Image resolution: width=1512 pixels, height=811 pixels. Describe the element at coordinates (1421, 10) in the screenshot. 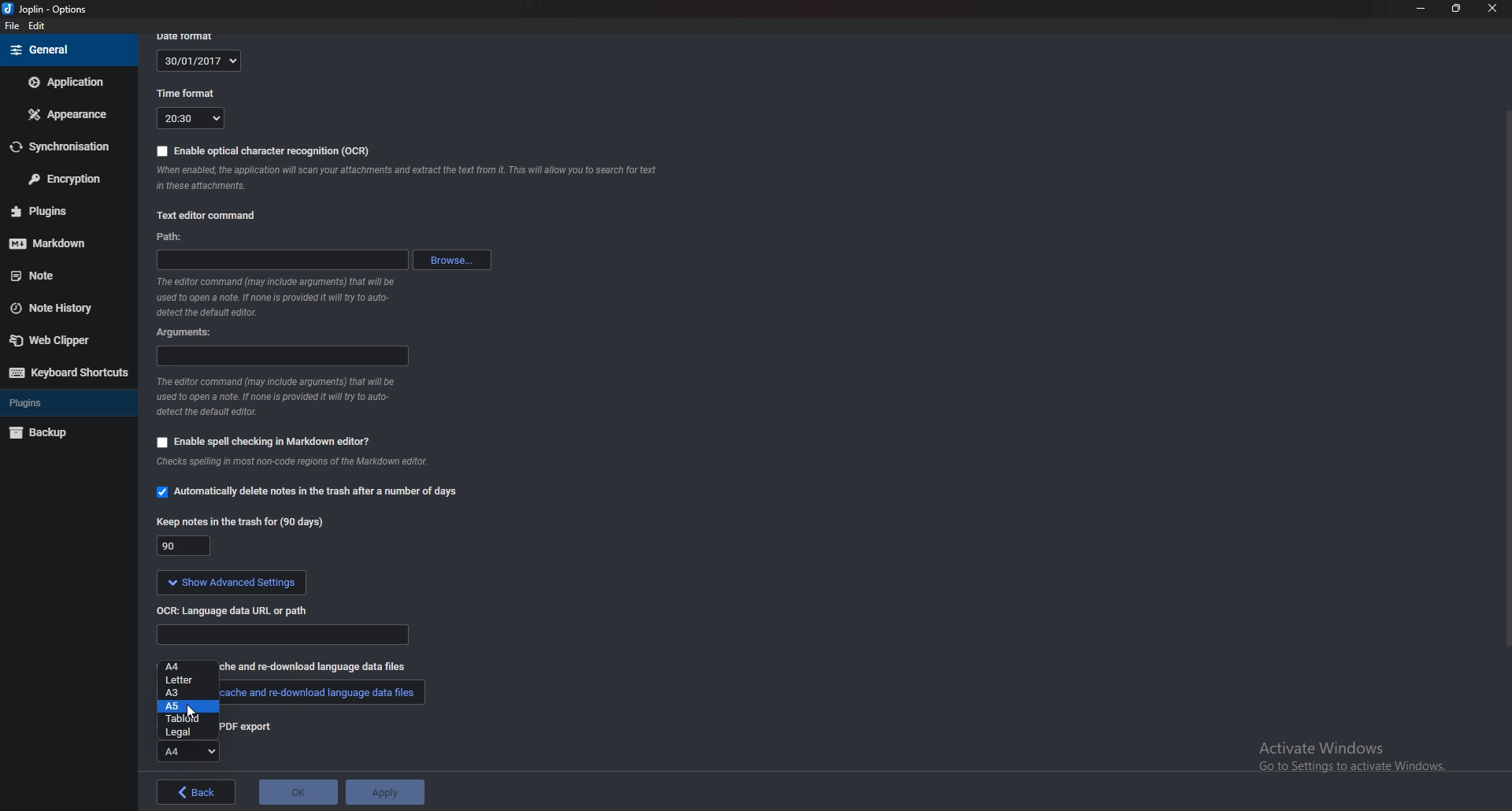

I see `minimize` at that location.